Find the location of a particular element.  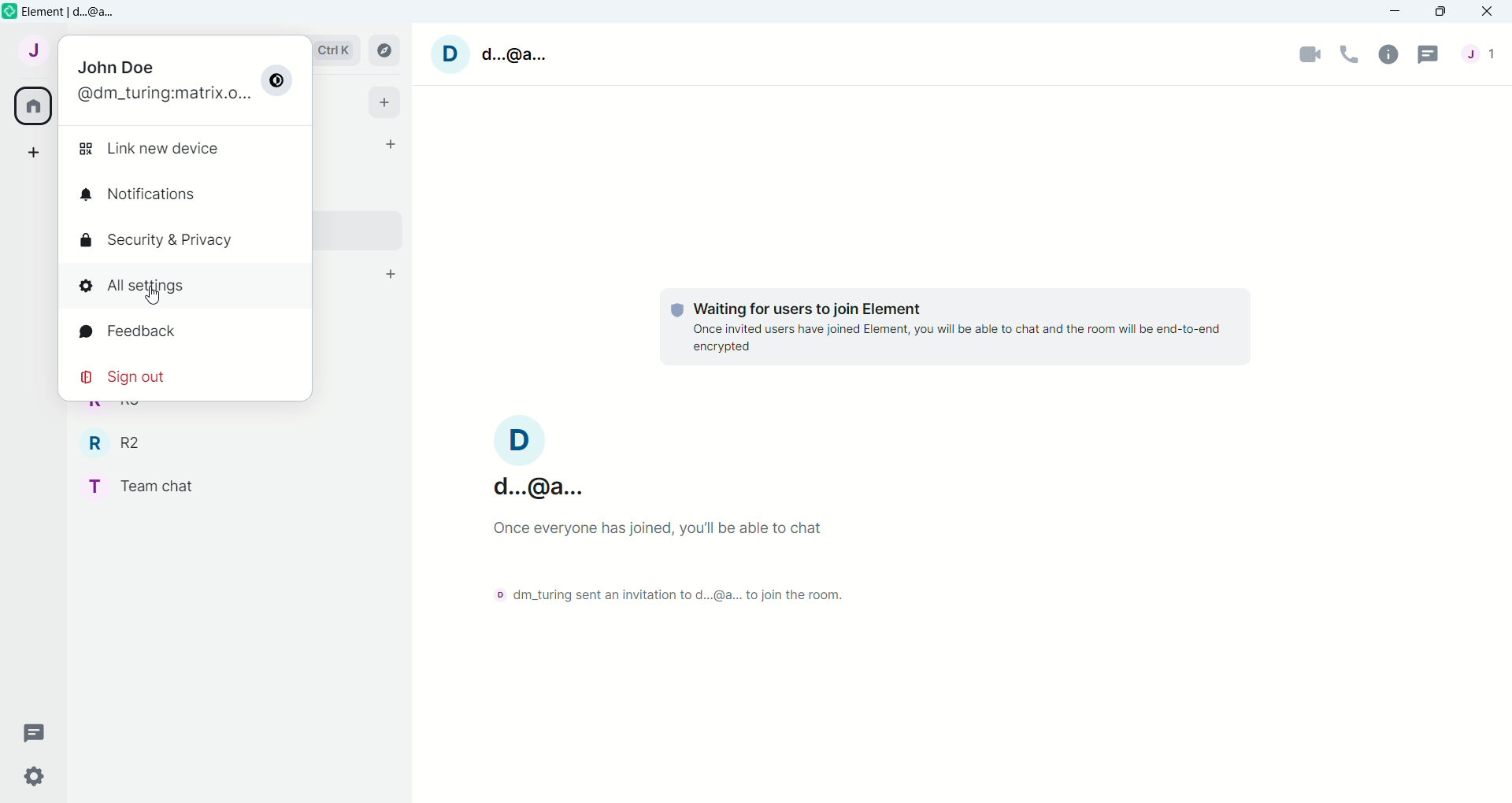

Maximize is located at coordinates (1439, 13).